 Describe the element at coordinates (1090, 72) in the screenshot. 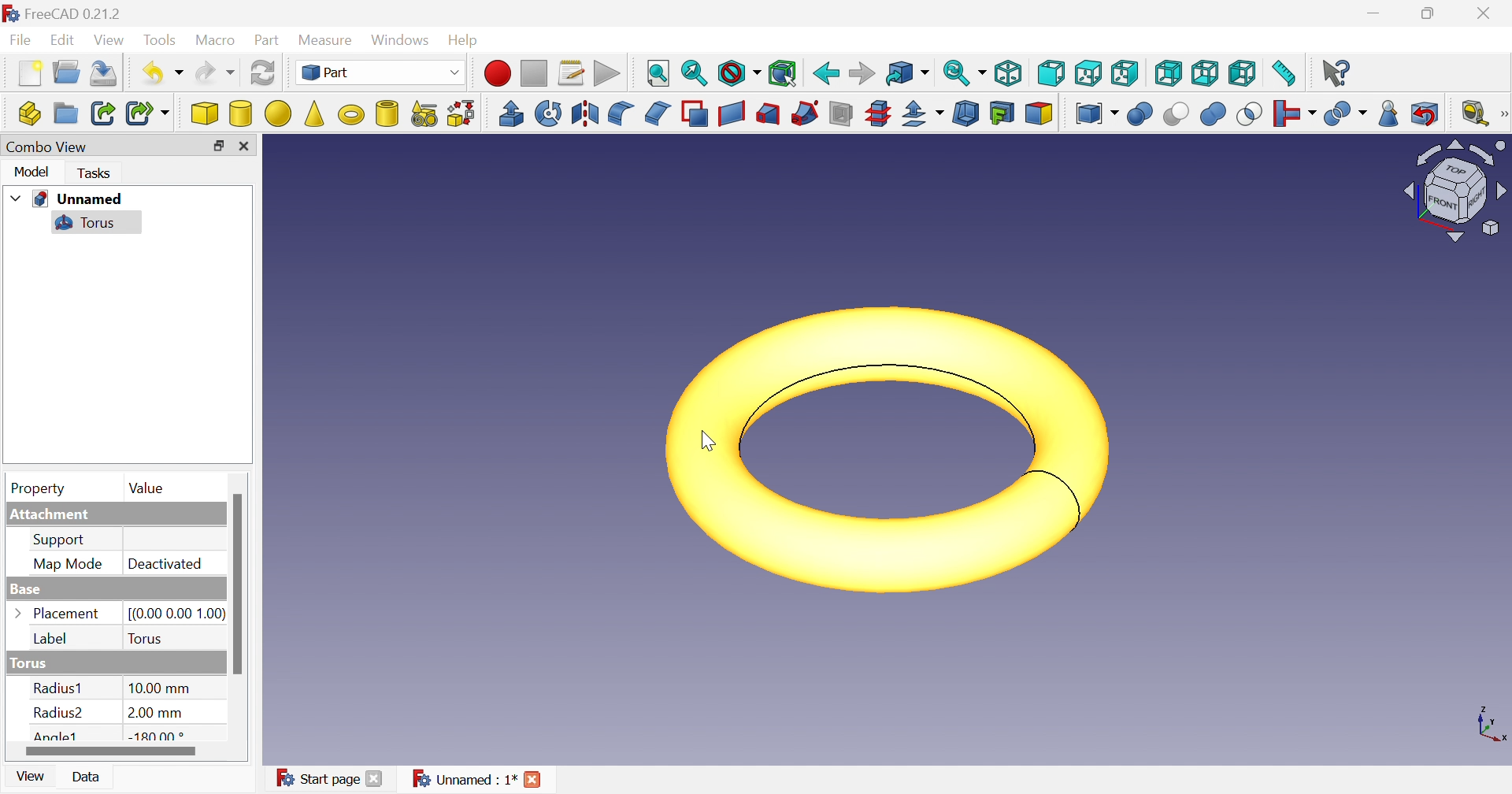

I see `Top` at that location.